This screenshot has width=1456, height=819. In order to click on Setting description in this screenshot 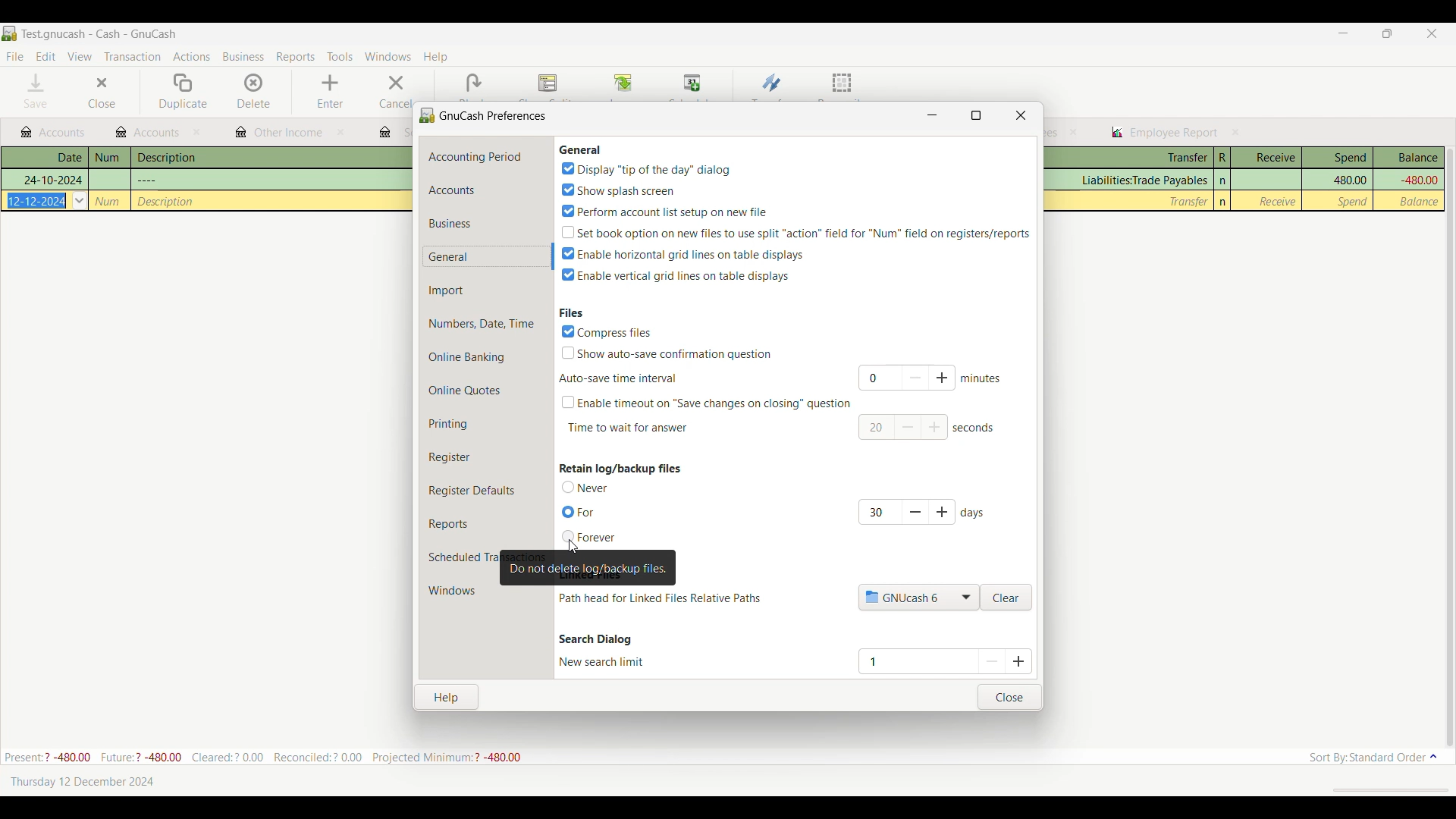, I will do `click(660, 598)`.